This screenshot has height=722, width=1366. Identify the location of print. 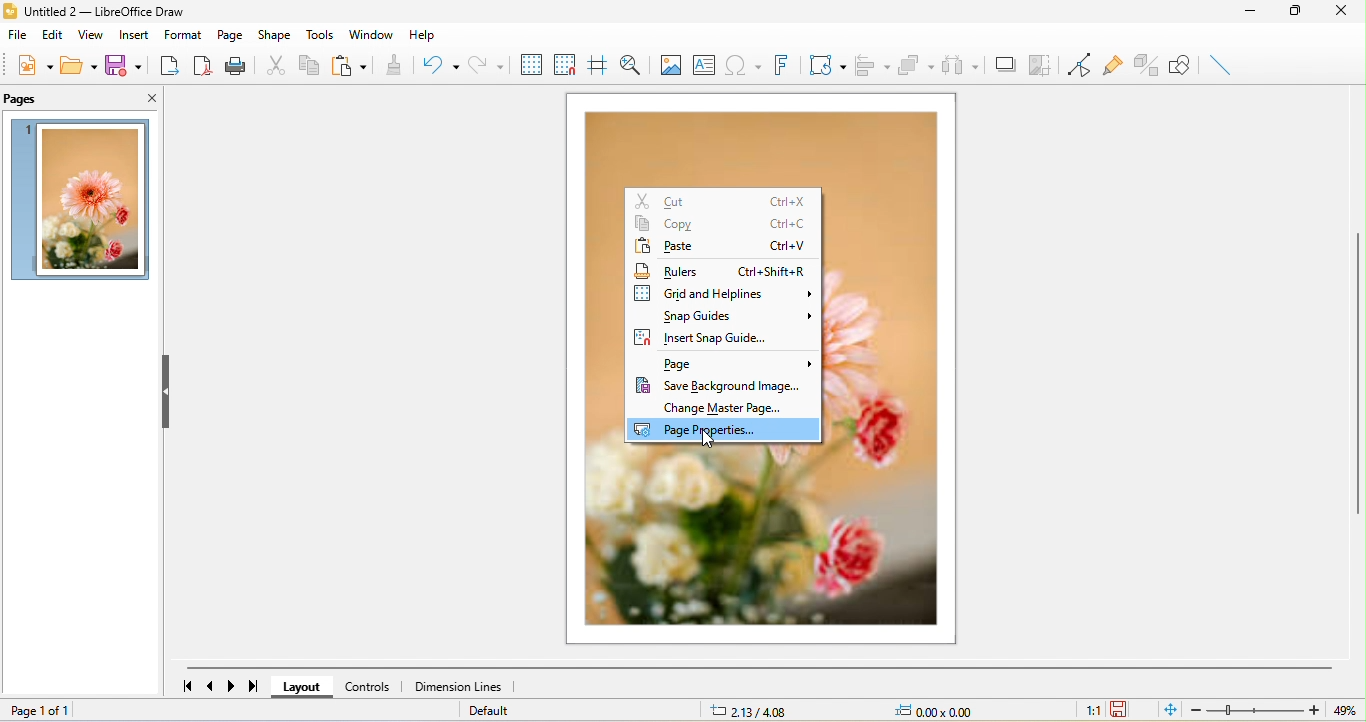
(235, 65).